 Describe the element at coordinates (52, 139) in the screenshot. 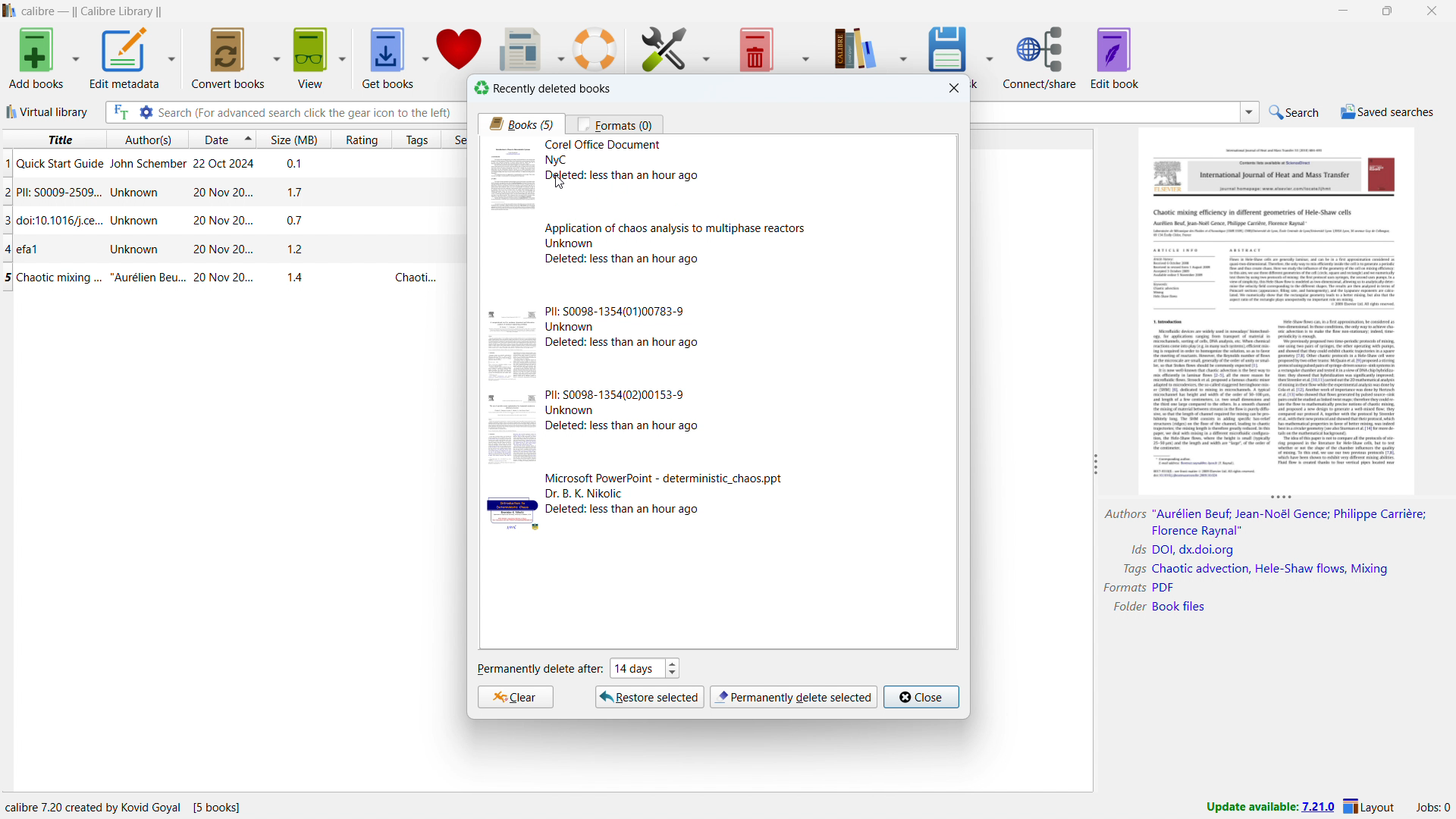

I see `sort by title` at that location.